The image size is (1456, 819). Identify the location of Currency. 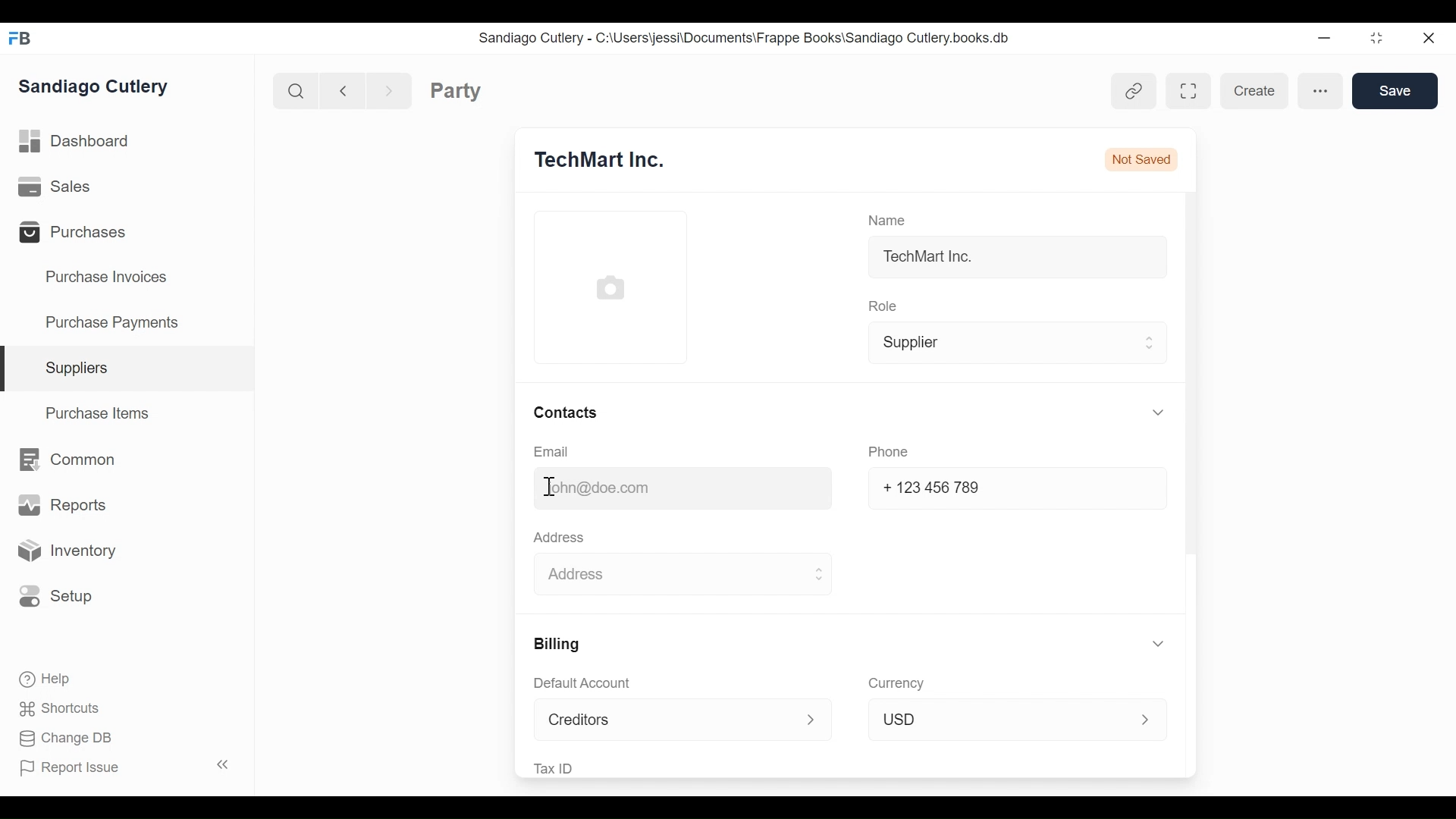
(896, 682).